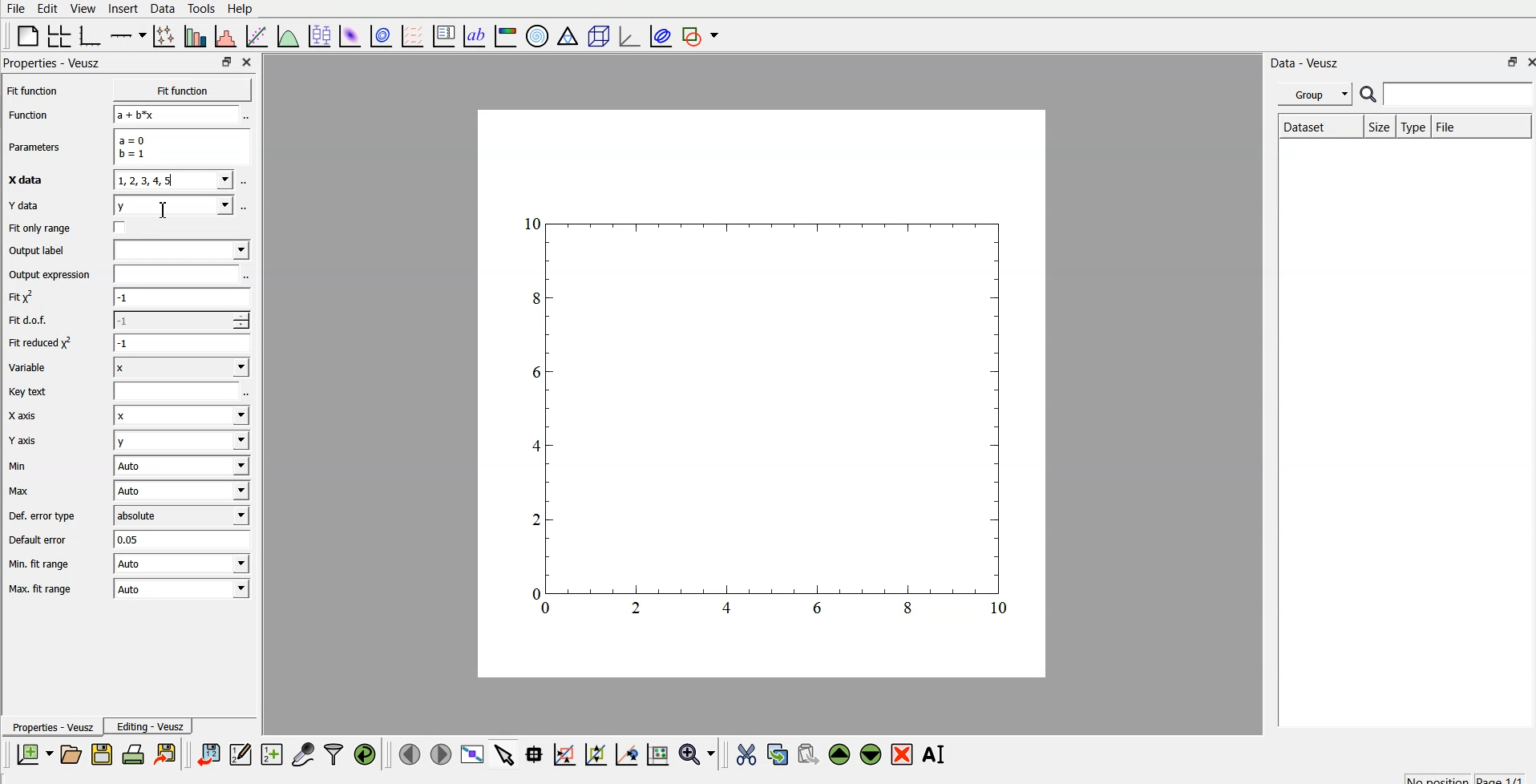 This screenshot has width=1536, height=784. I want to click on restore down, so click(1506, 65).